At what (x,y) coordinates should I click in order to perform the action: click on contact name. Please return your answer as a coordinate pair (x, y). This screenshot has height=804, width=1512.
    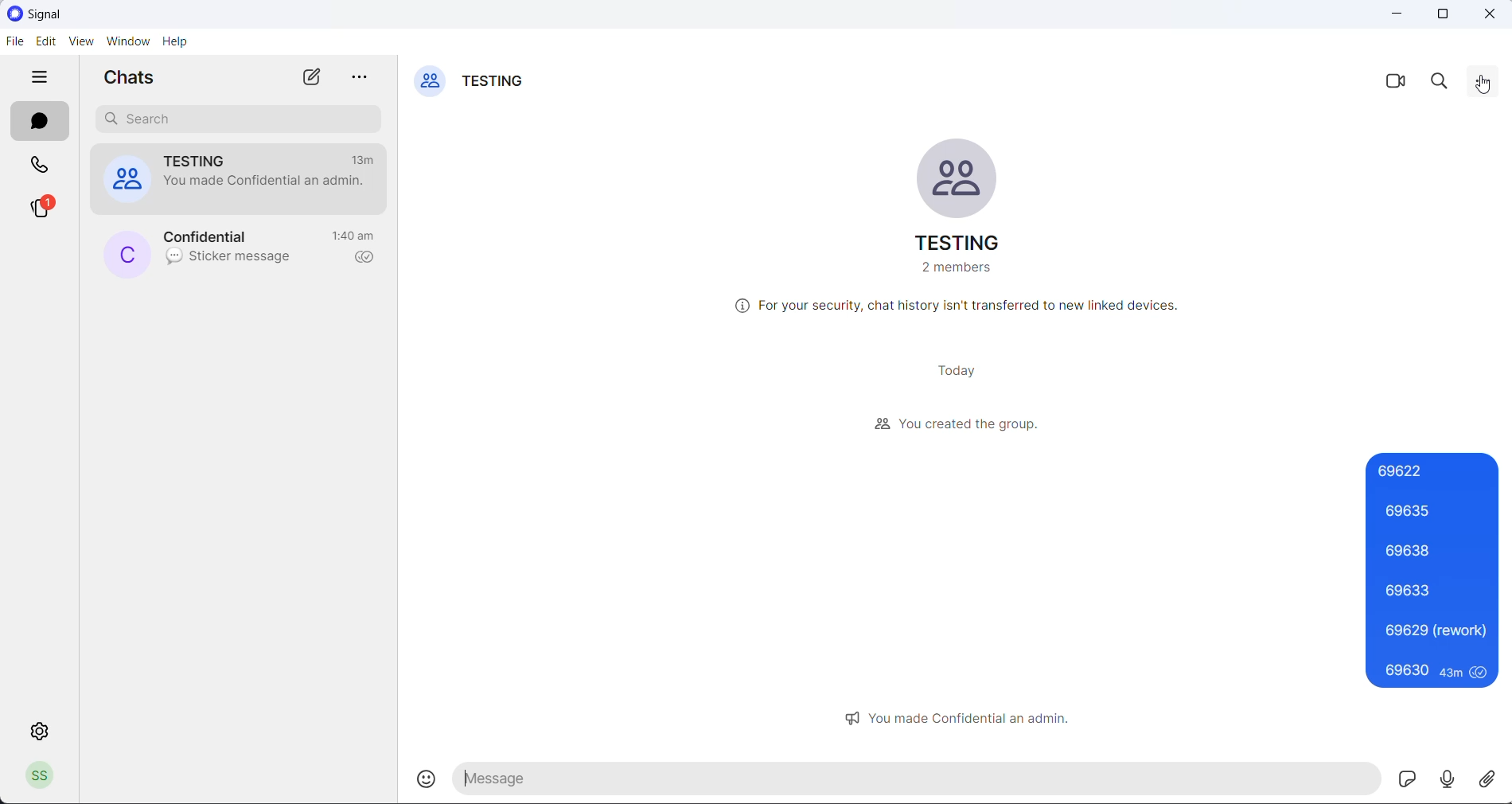
    Looking at the image, I should click on (217, 236).